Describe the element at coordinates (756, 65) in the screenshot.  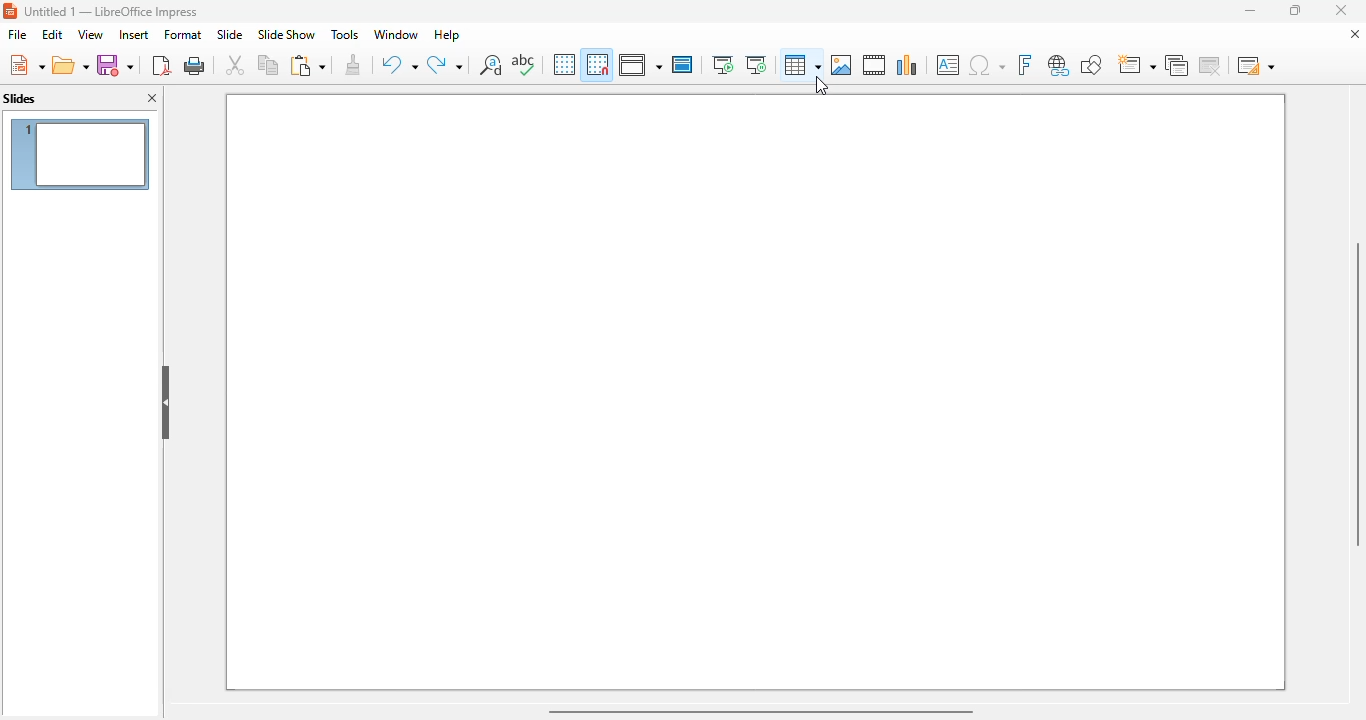
I see `start from current slide` at that location.